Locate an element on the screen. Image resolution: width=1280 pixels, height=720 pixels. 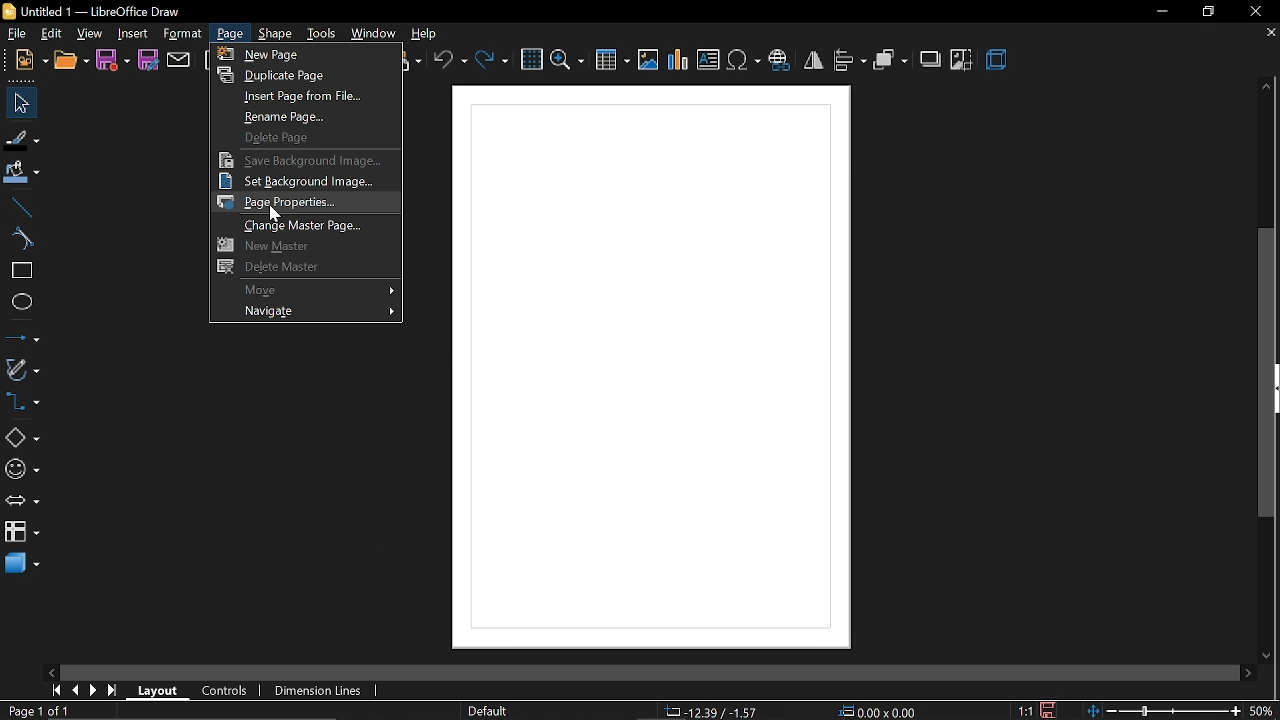
connector is located at coordinates (23, 406).